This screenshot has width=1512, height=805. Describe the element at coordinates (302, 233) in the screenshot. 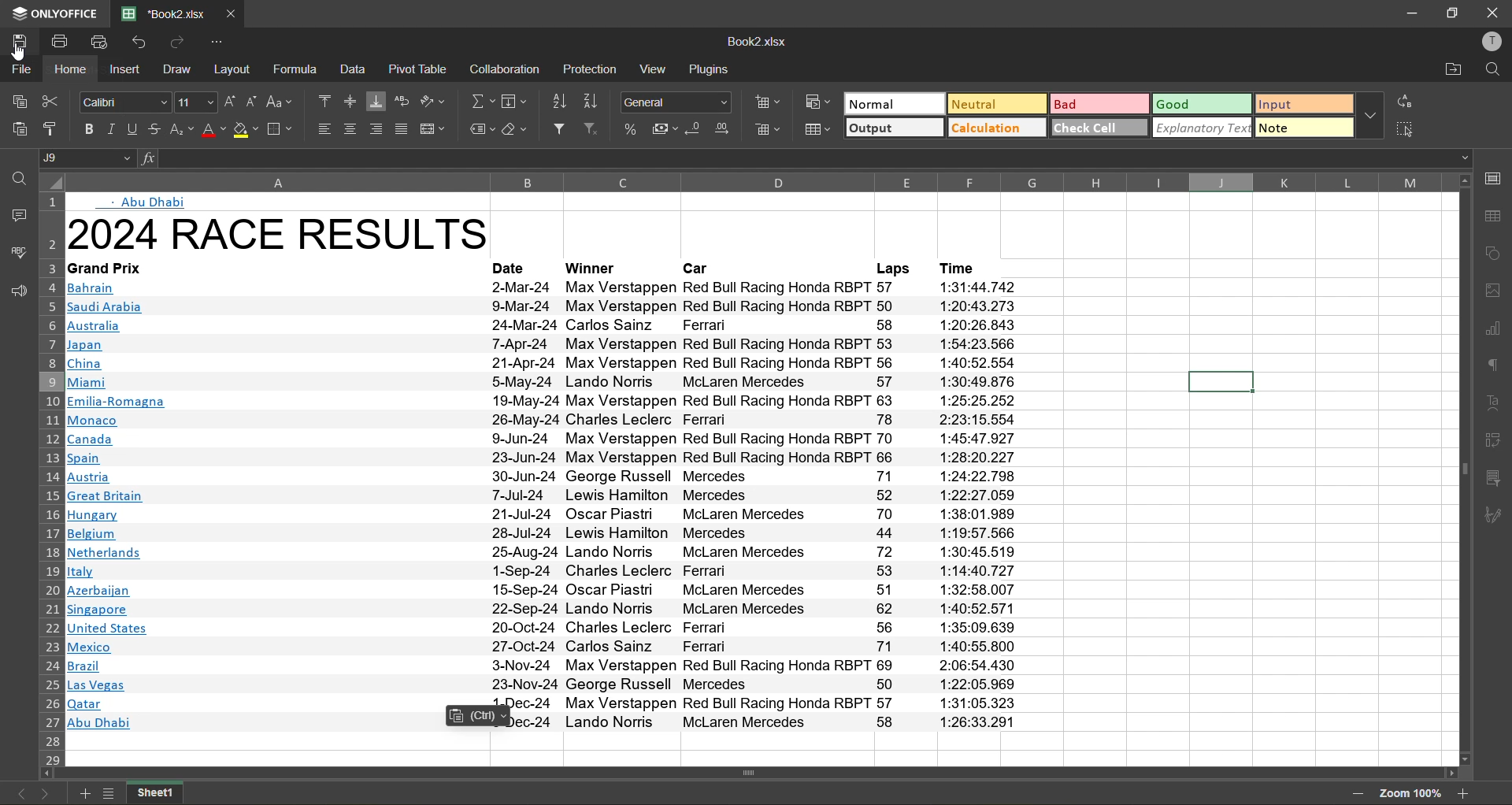

I see `heading` at that location.